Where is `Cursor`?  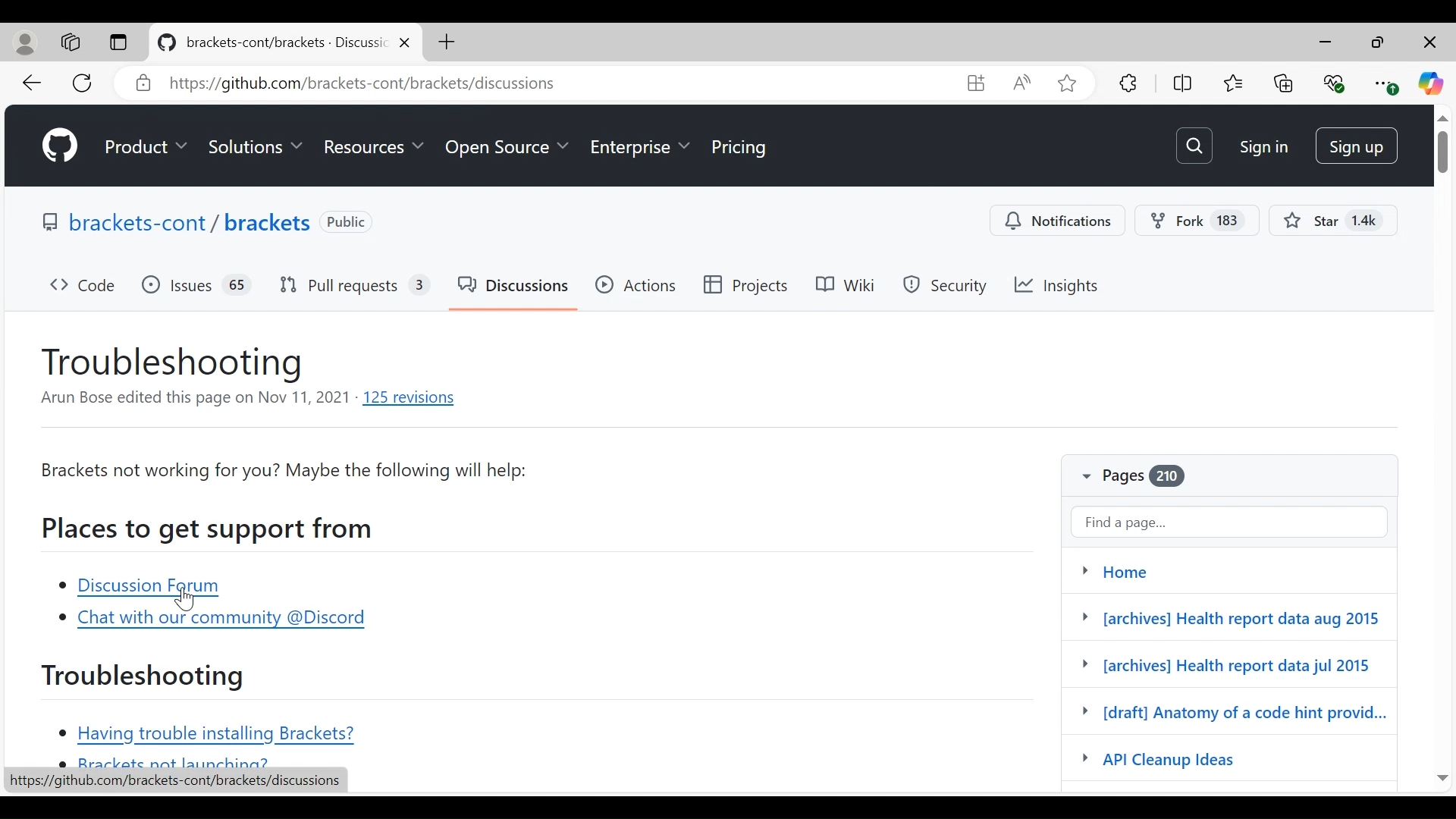
Cursor is located at coordinates (187, 598).